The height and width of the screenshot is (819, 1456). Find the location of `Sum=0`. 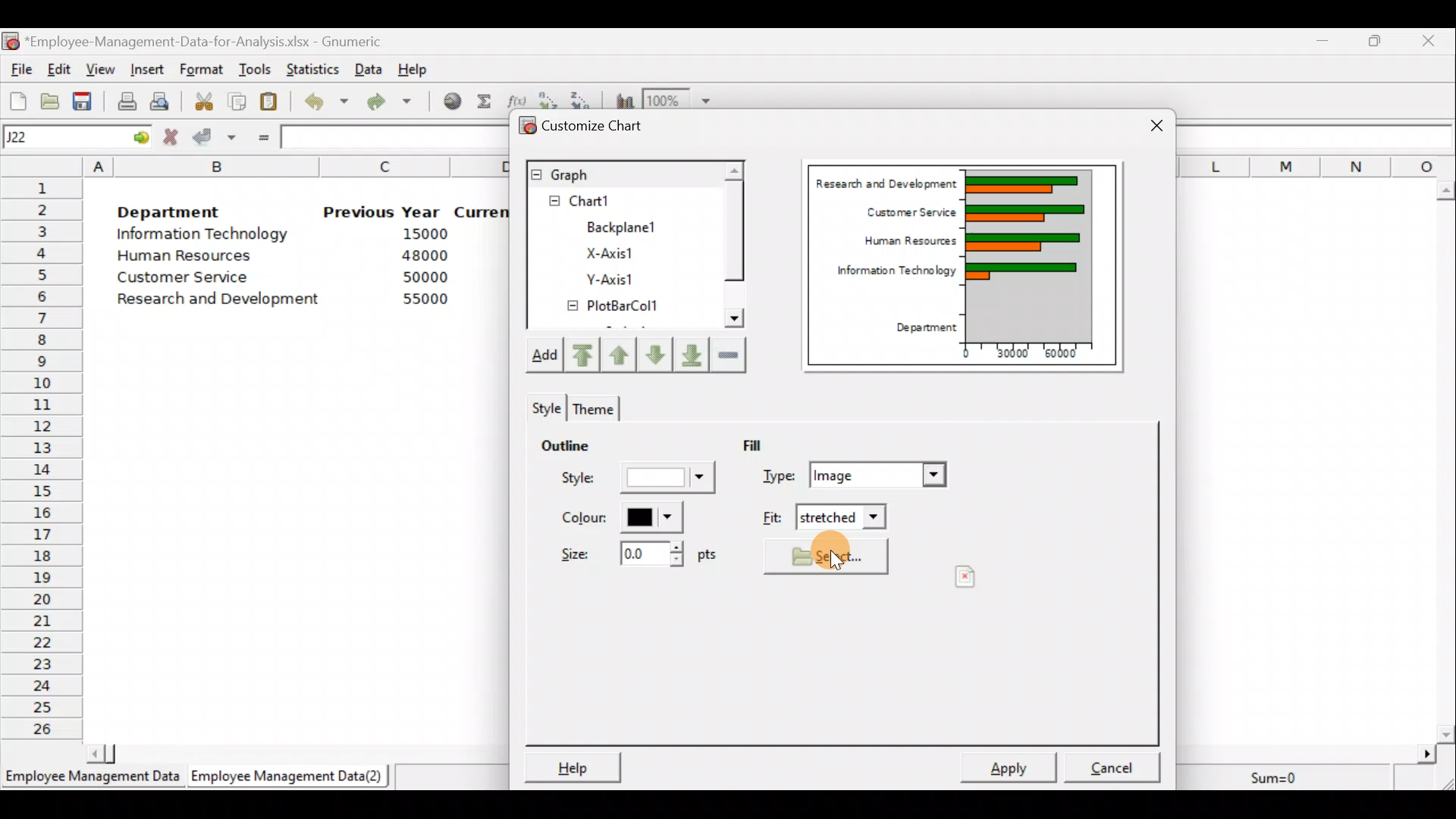

Sum=0 is located at coordinates (1279, 774).